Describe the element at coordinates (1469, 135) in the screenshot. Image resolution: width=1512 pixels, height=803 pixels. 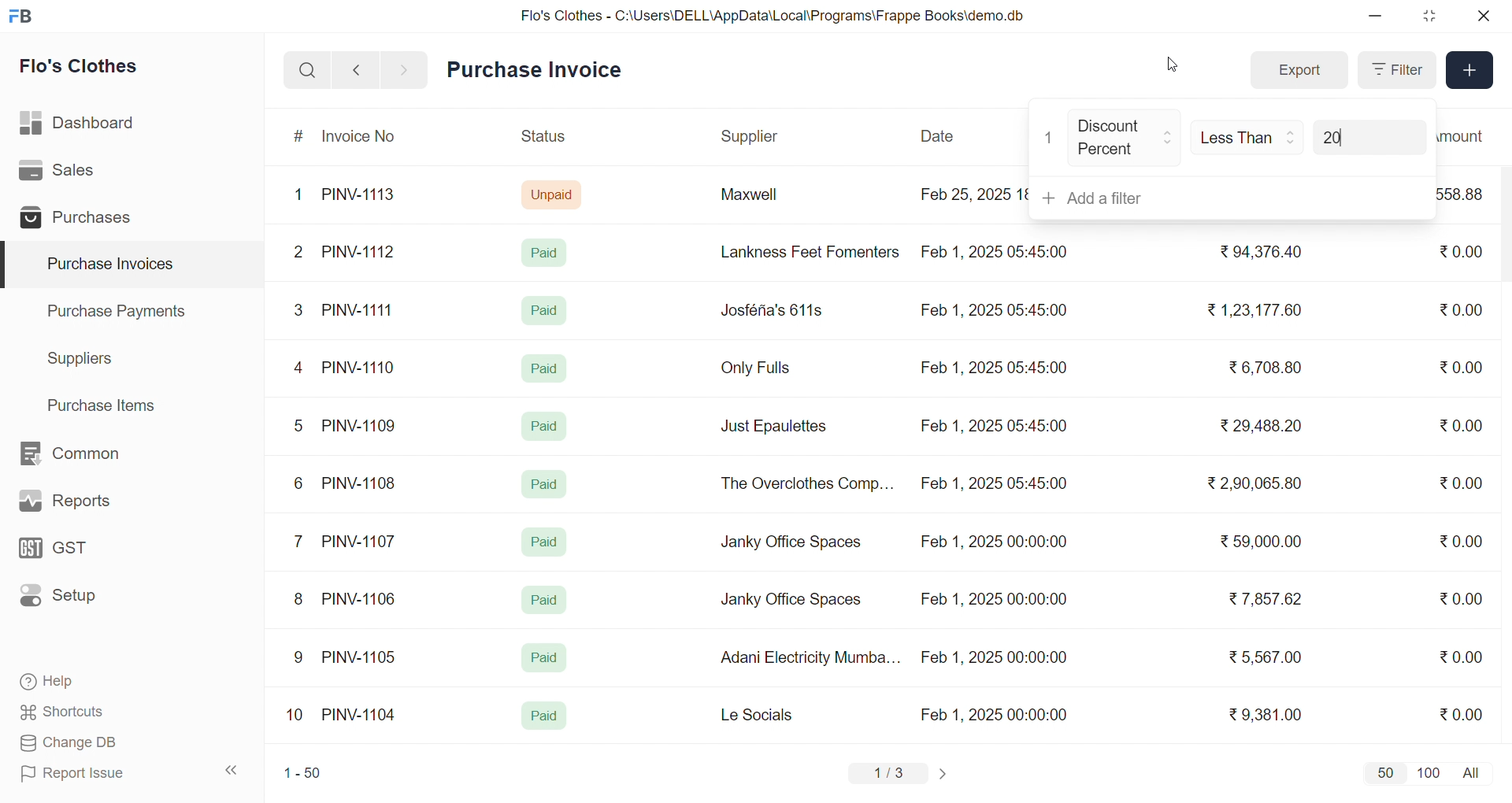
I see `Outstanding Amount` at that location.